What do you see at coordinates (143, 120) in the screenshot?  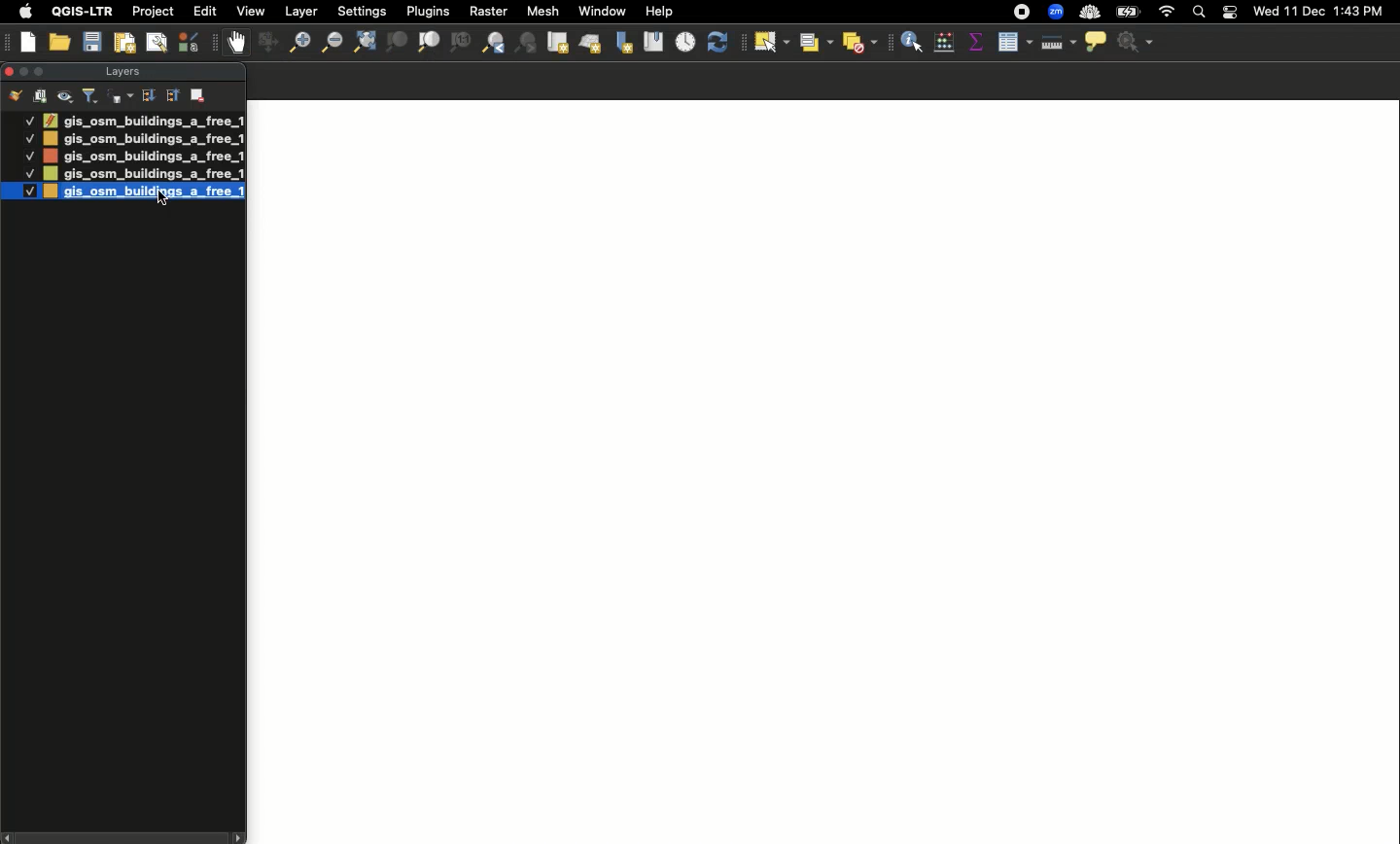 I see `gis_osm_buildings_a_free_1` at bounding box center [143, 120].